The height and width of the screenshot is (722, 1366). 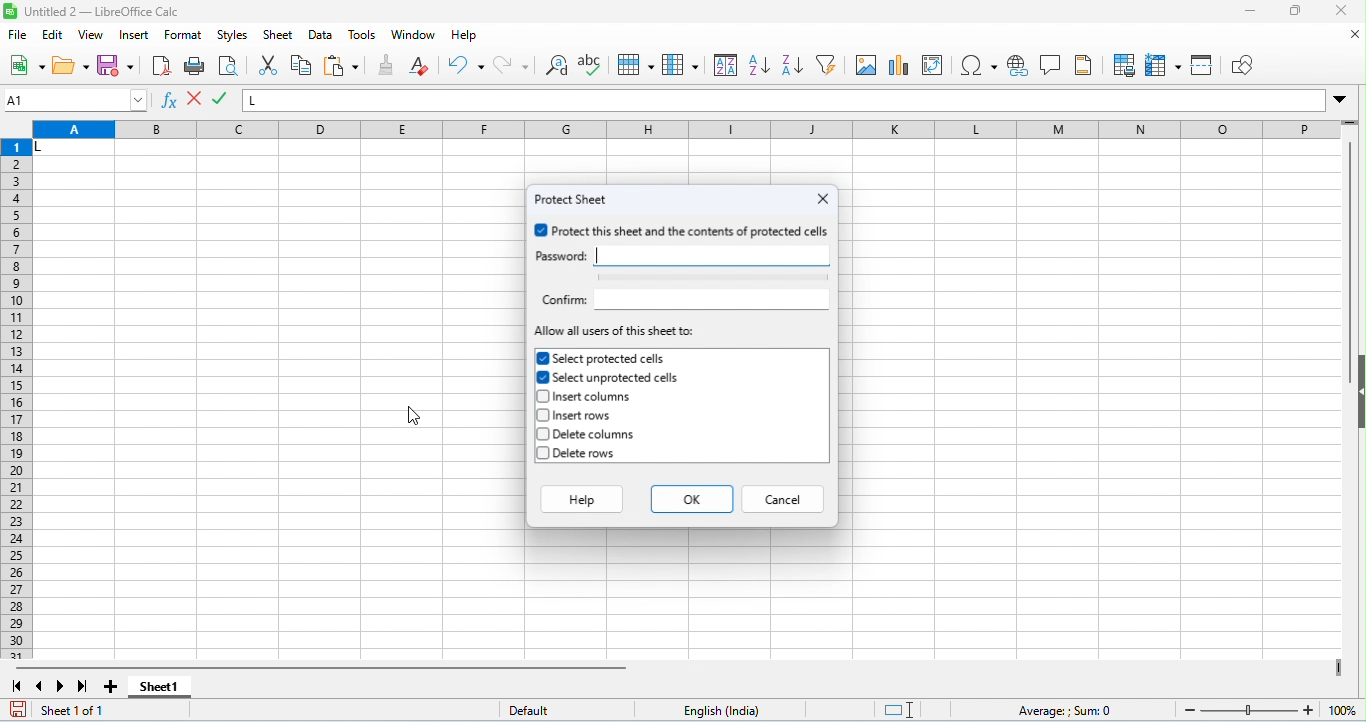 What do you see at coordinates (465, 37) in the screenshot?
I see `help` at bounding box center [465, 37].